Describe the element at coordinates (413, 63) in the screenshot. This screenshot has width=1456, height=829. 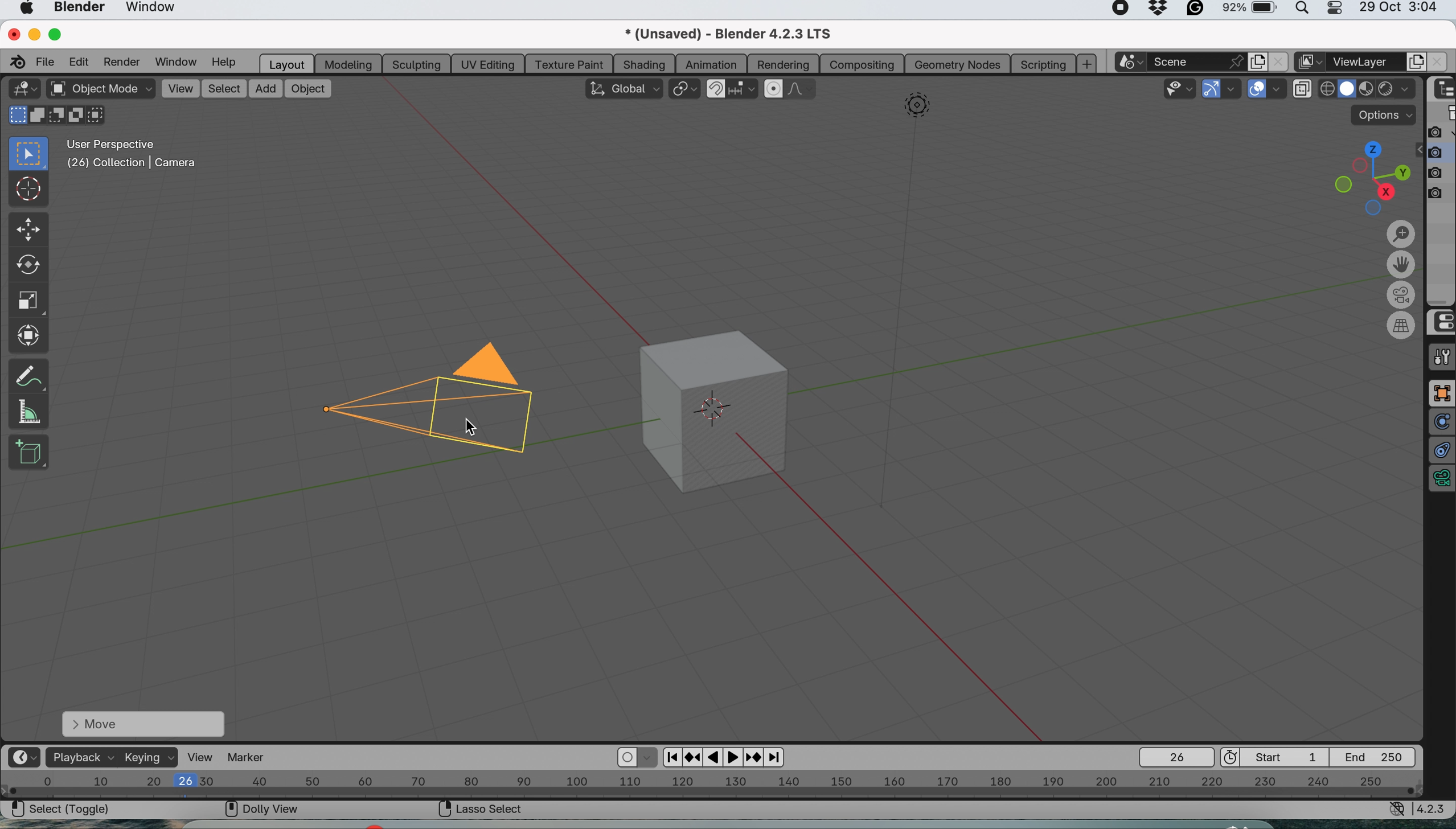
I see `sculpting` at that location.